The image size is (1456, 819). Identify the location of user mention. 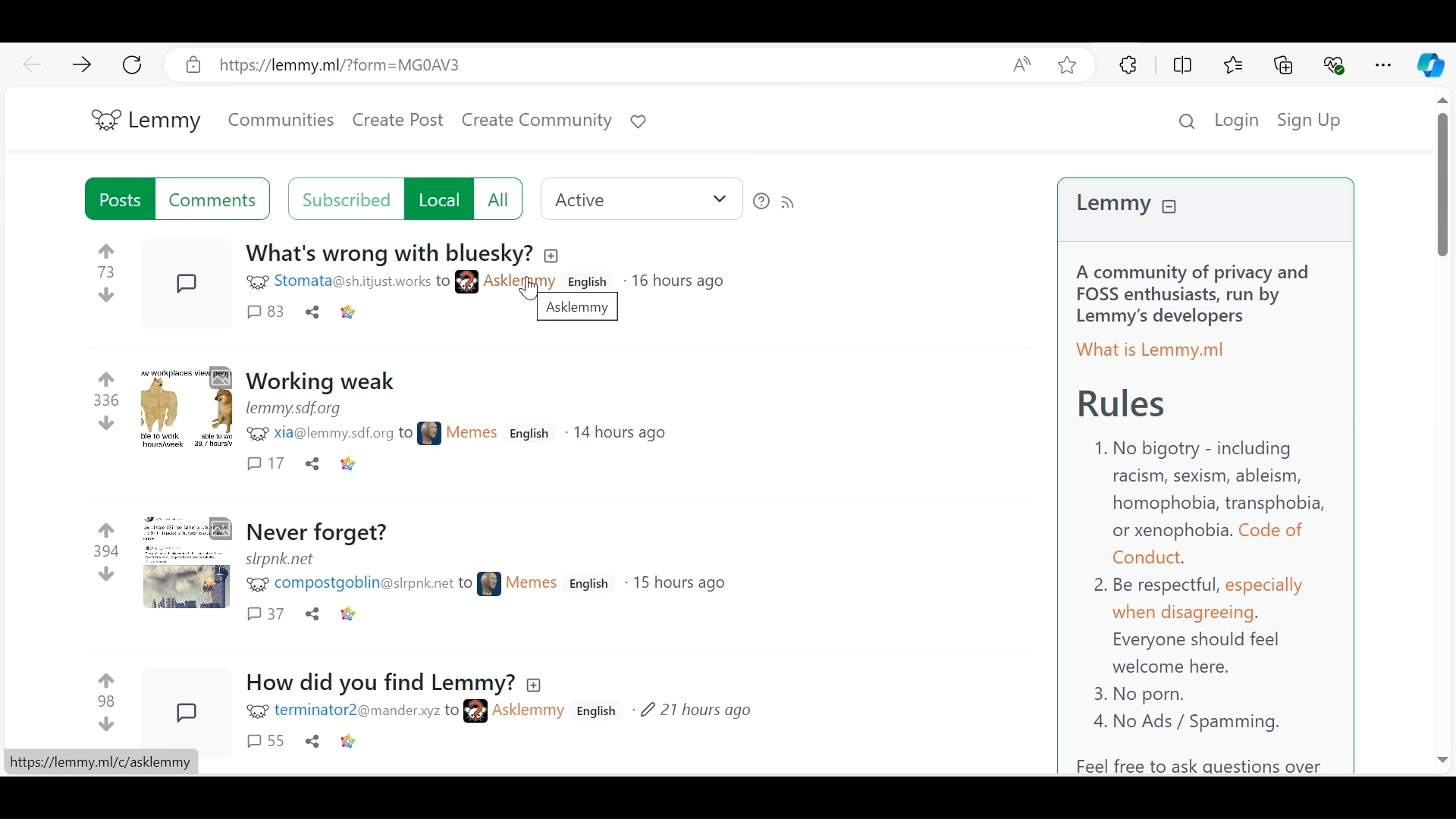
(375, 436).